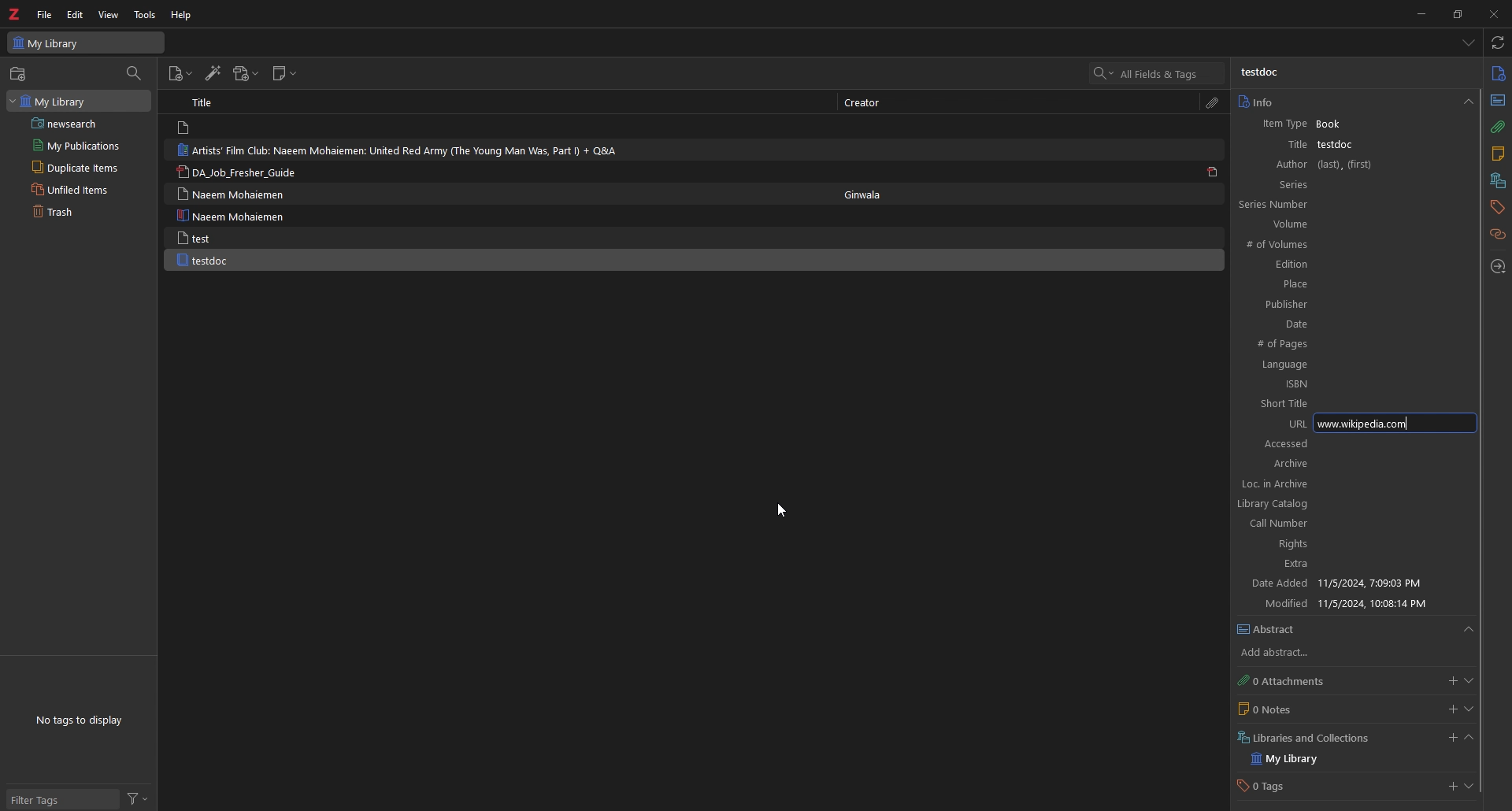  Describe the element at coordinates (1333, 324) in the screenshot. I see `Date` at that location.